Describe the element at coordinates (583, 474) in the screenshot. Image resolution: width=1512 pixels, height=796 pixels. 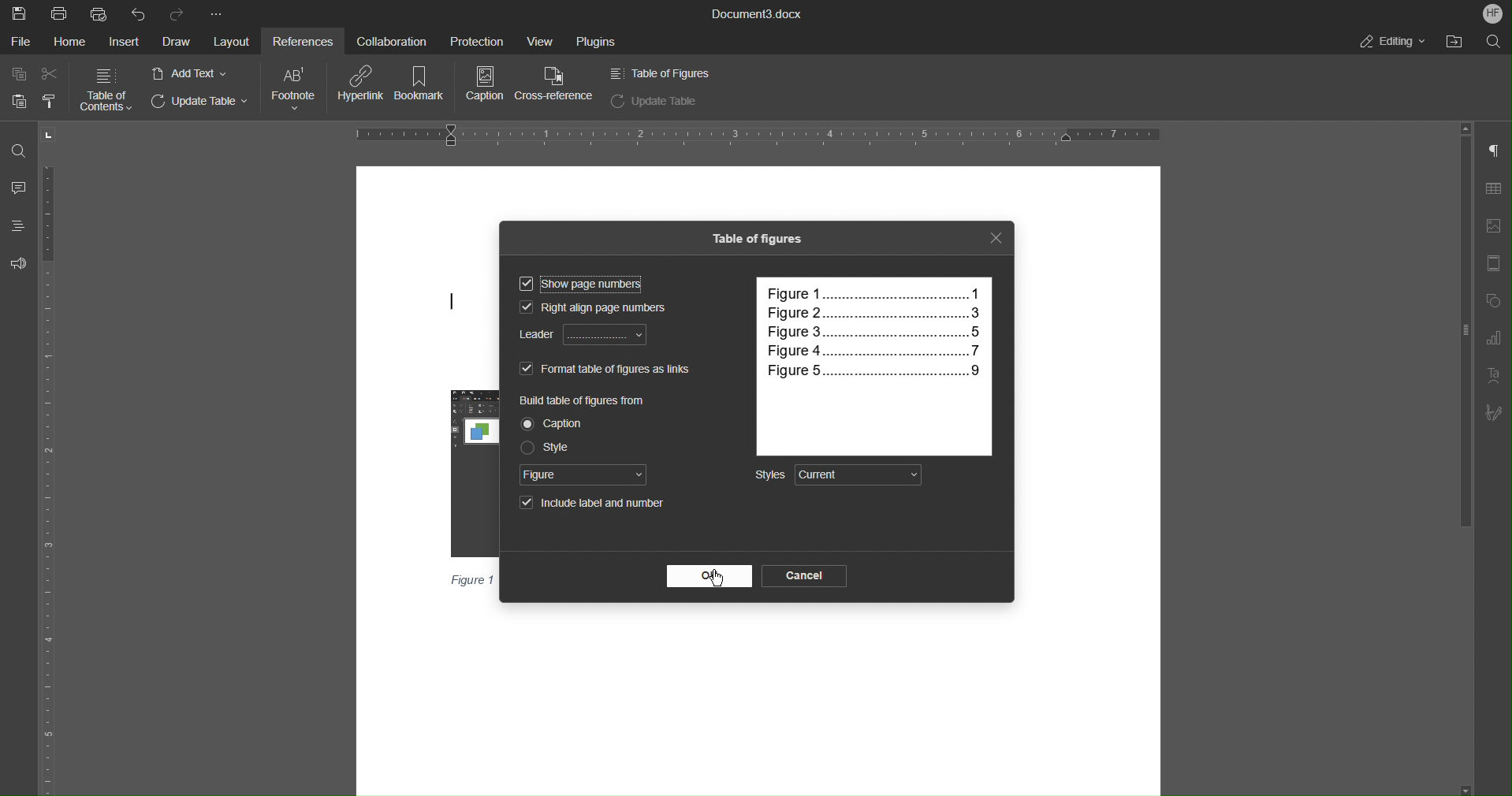
I see `Figure` at that location.